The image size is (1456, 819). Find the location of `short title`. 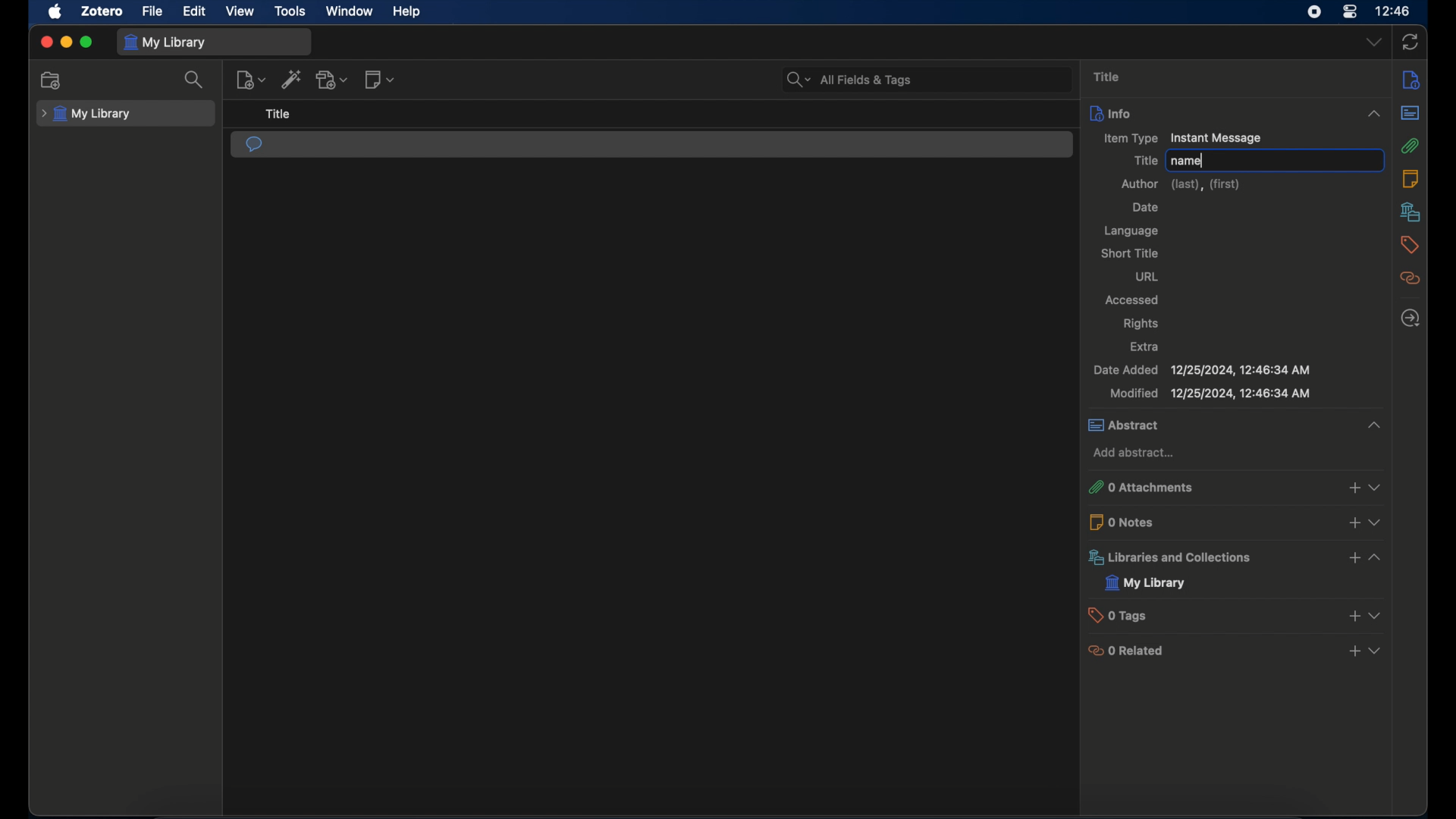

short title is located at coordinates (1129, 253).